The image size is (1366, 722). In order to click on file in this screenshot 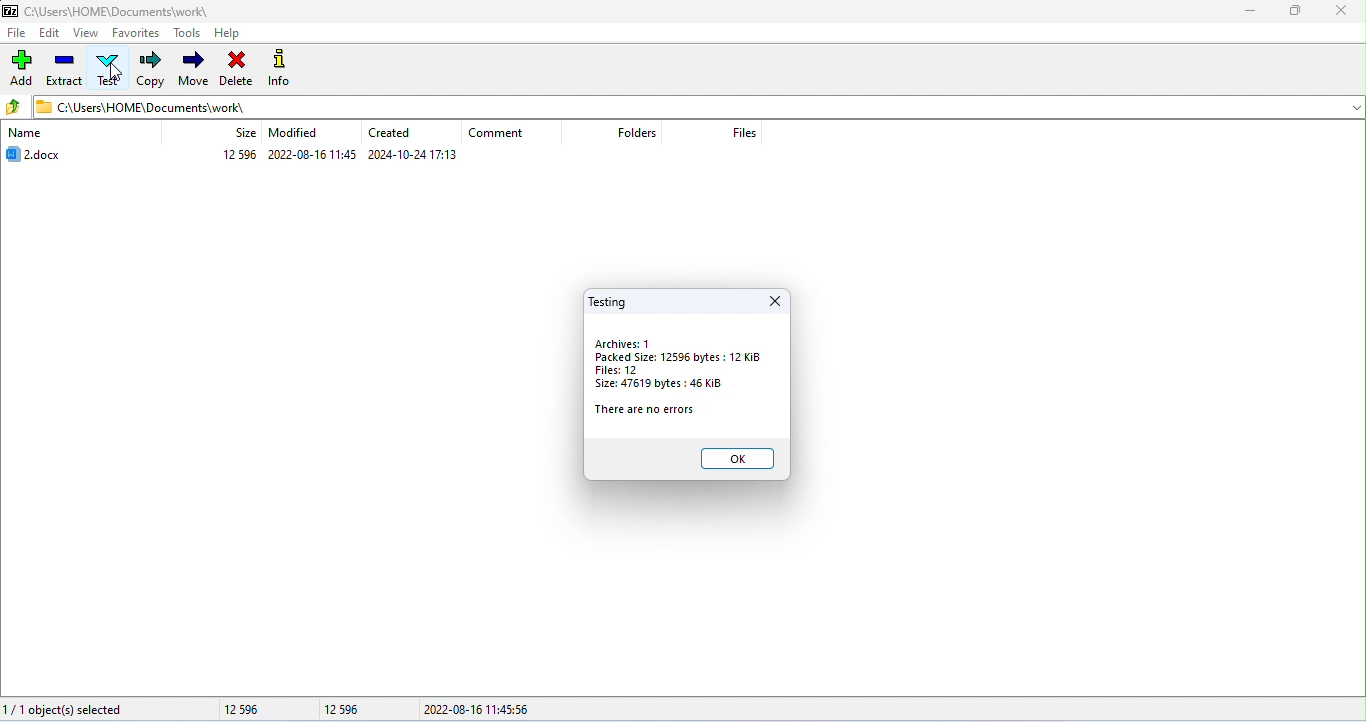, I will do `click(18, 32)`.